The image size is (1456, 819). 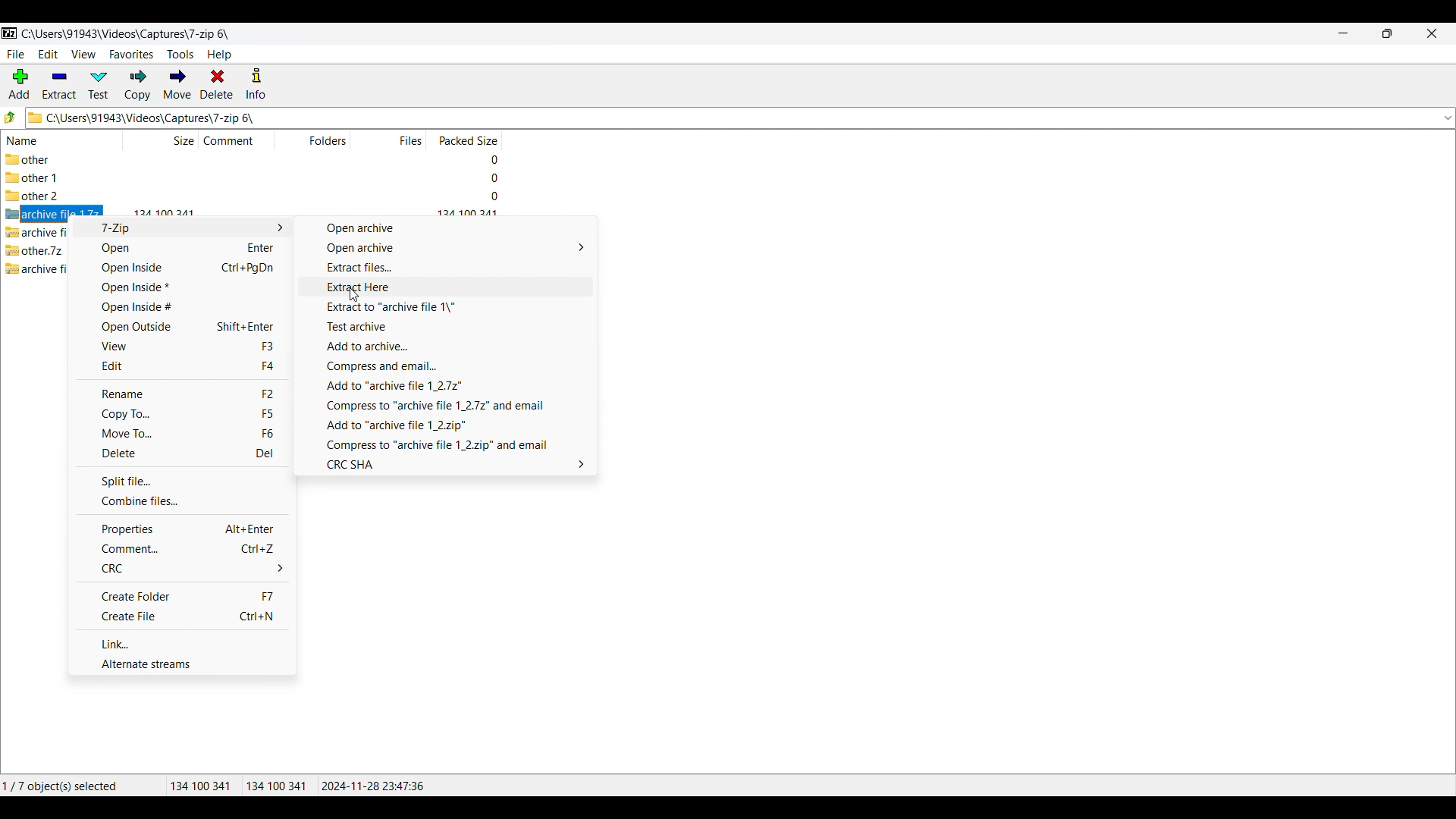 I want to click on Add to archive, so click(x=446, y=347).